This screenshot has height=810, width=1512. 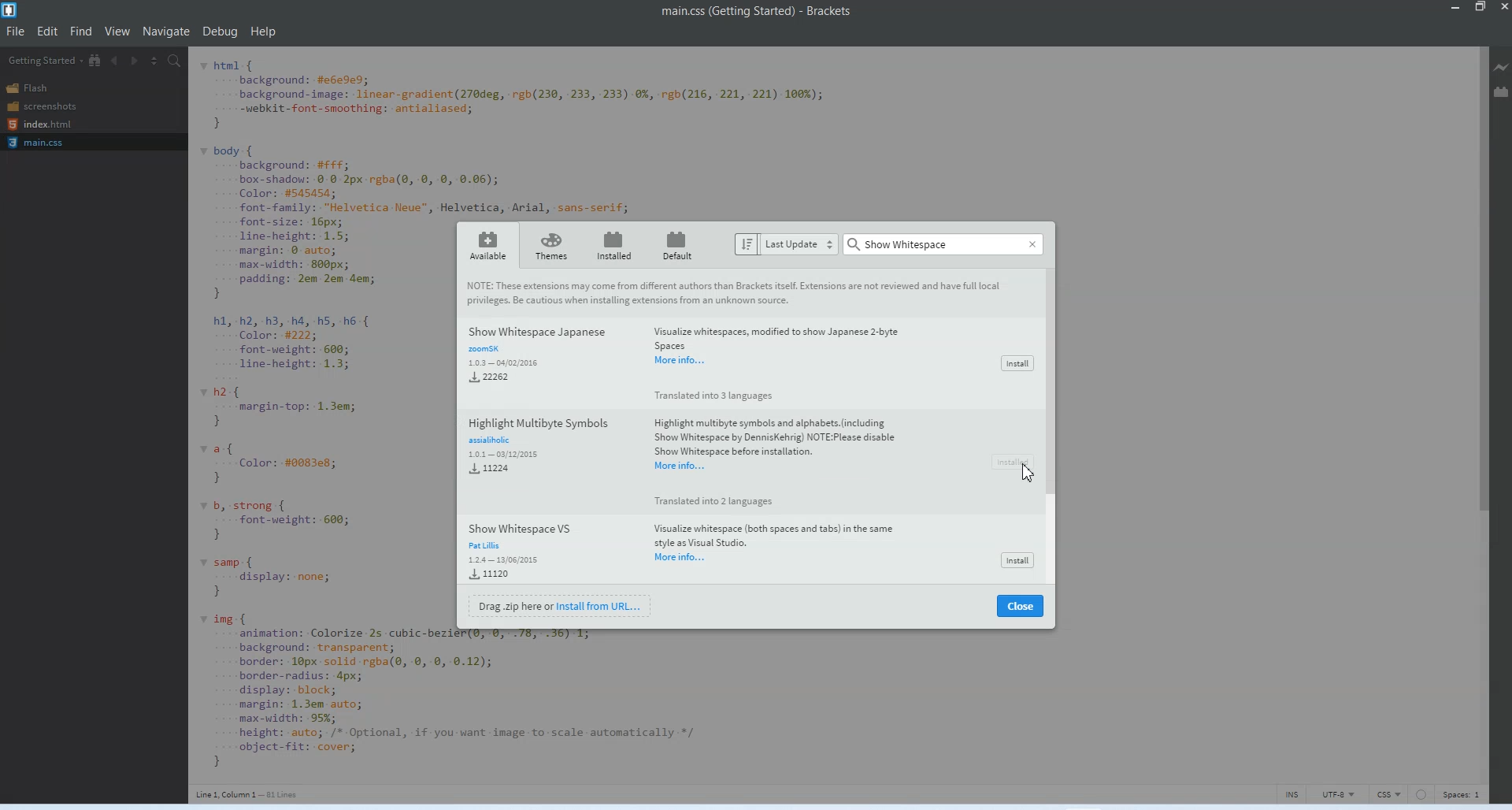 What do you see at coordinates (83, 31) in the screenshot?
I see `Find` at bounding box center [83, 31].